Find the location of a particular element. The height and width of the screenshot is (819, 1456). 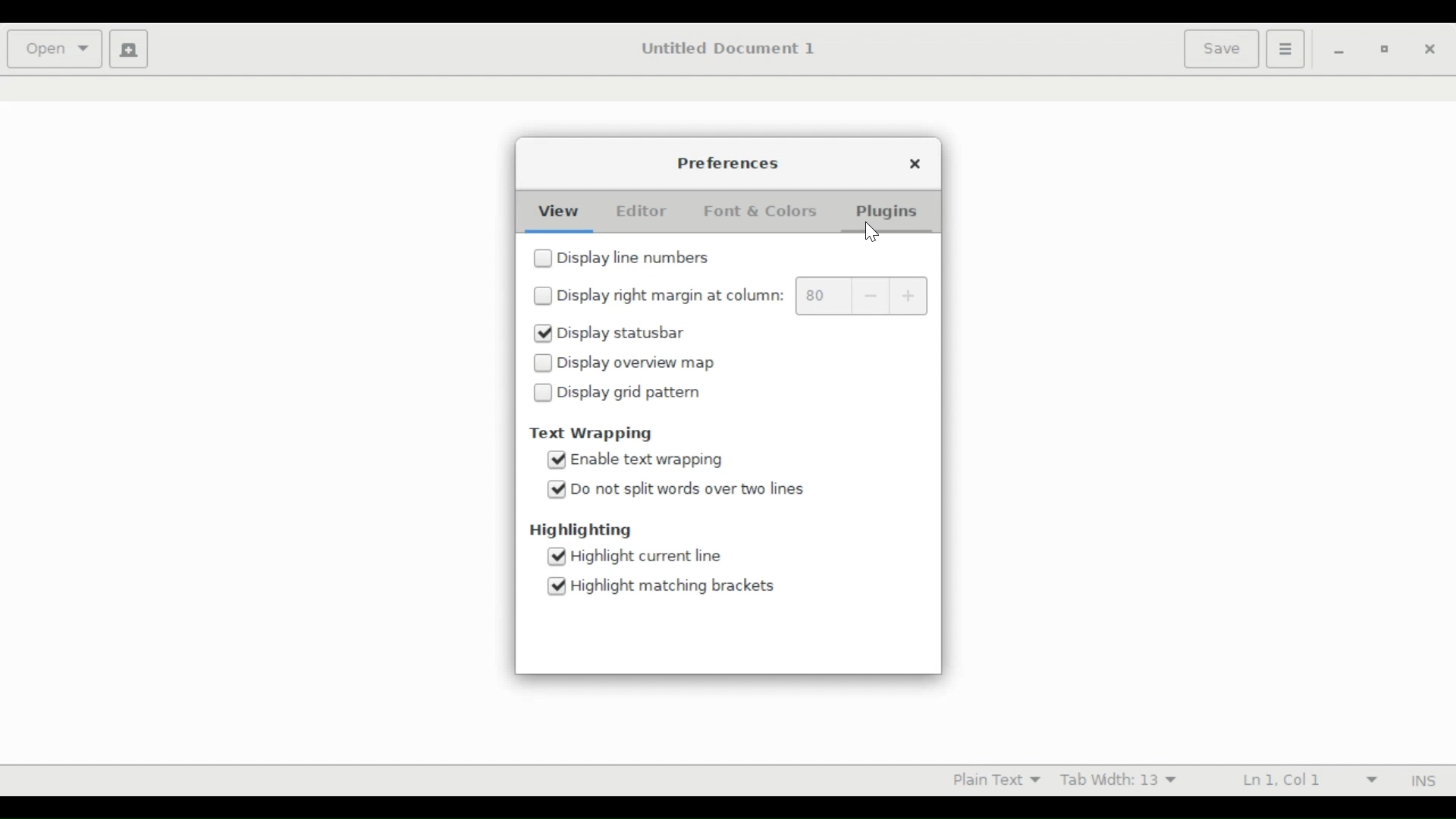

Unselected is located at coordinates (542, 258).